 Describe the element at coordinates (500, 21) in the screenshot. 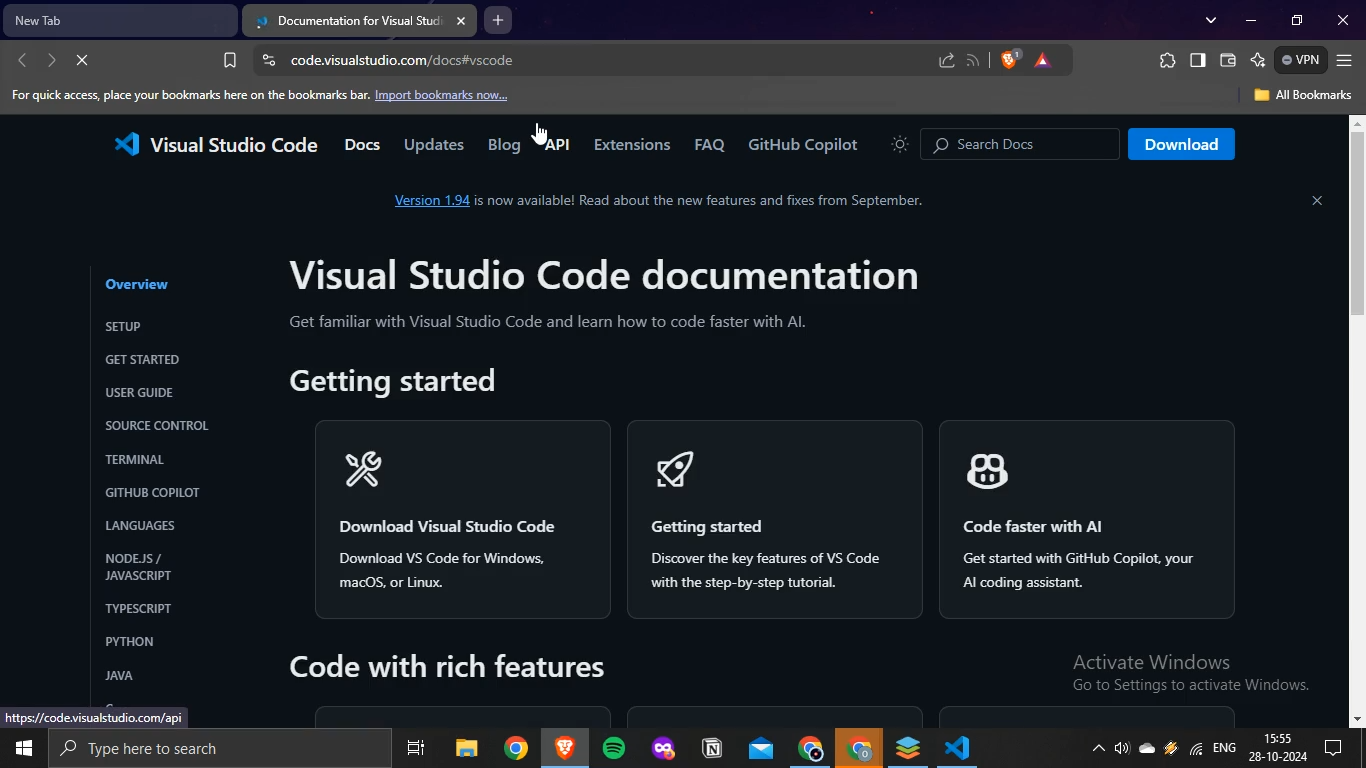

I see `new tab` at that location.